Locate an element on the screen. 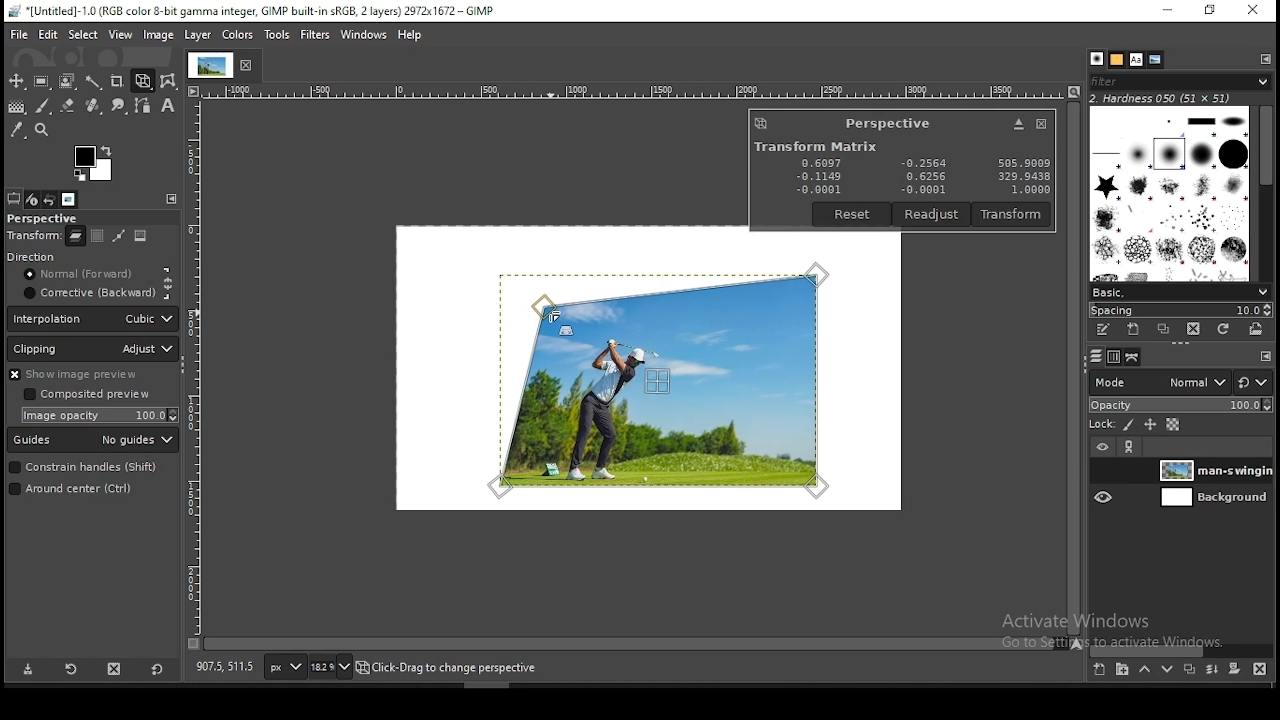 The width and height of the screenshot is (1280, 720). -0.0001 is located at coordinates (819, 189).